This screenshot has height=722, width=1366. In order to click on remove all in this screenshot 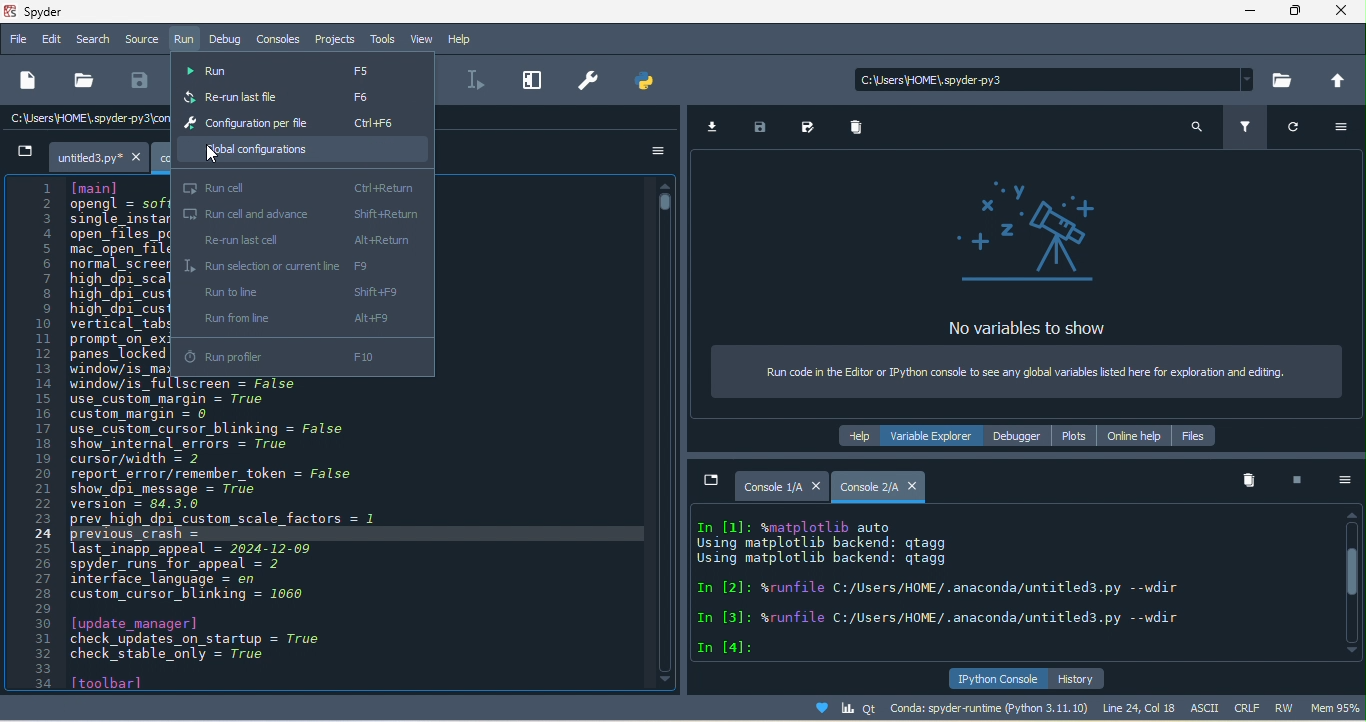, I will do `click(1247, 482)`.